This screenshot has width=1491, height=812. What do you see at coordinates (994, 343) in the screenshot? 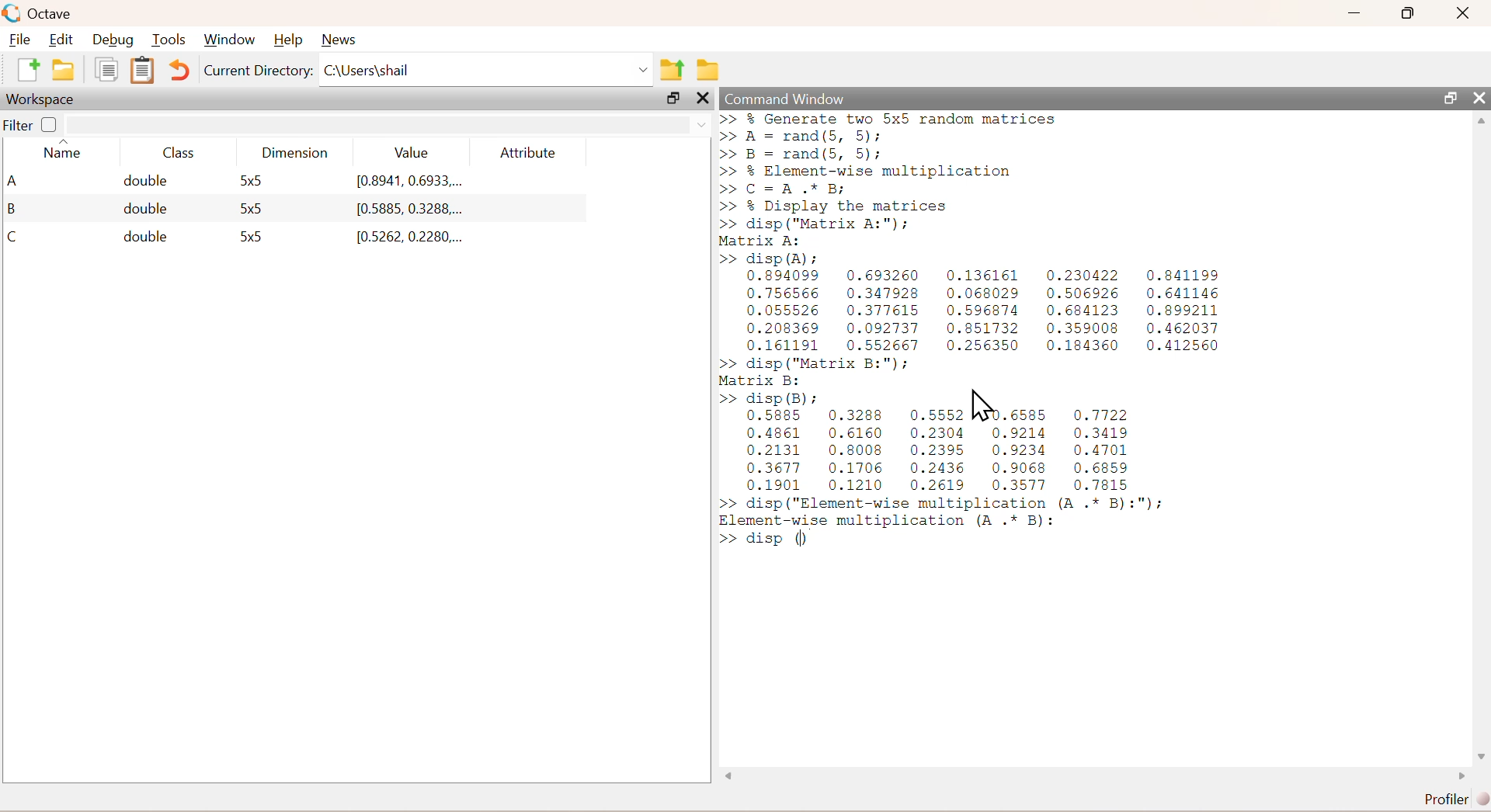
I see `>> % Generate two 5x5 random matrices
>> A = rand(5, 5);
>> B = rand(5, 5);
>> % Element-wise multiplication
>> C=A .* B;
>> % Display the matrices
>> disp ("Matrix A:");
Matrix A:
>> disp (A) 7
0.894099 0.693260 0.136161 0.230422 0.841199
0.756566 0.347928 0.068029 0.506926 0.641146
0.055526 0.377615 0.596874 0.684123 0.899211
0.208369 0.092737 0.851732 0.359008 0.462037
0.161191 0.552667 0.256350 0.184360 0.412560
>> disp ("Matrix B:");
Matrix B:
>> disp (B); NS
0.5885 0.3288 0.5552 .6585 0.7722
0.4861 0.6160 0.2304 0.9214 0.3419
0.2131 0.8008 0.2395 0.9234 0.4701
0.3677 0.1706 0.2436 0.9068 0.6859
0.1901 0.1210 0.2619 0.3577 0.7815
>> disp ("Element-wise multiplication (A .* B):");
Element-wise multiplication (A .* B):
>> disp (|)` at bounding box center [994, 343].